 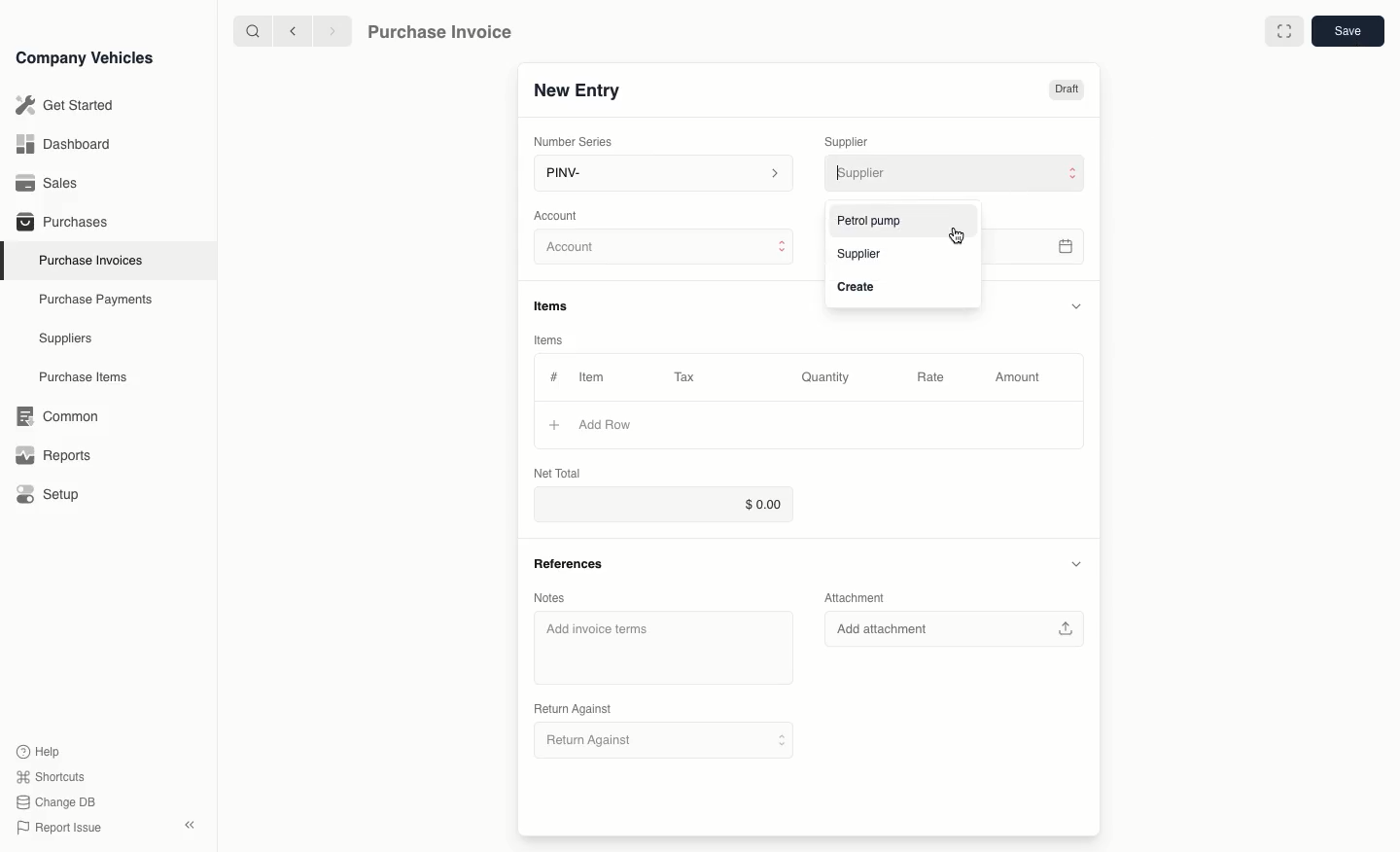 I want to click on full screen, so click(x=1283, y=31).